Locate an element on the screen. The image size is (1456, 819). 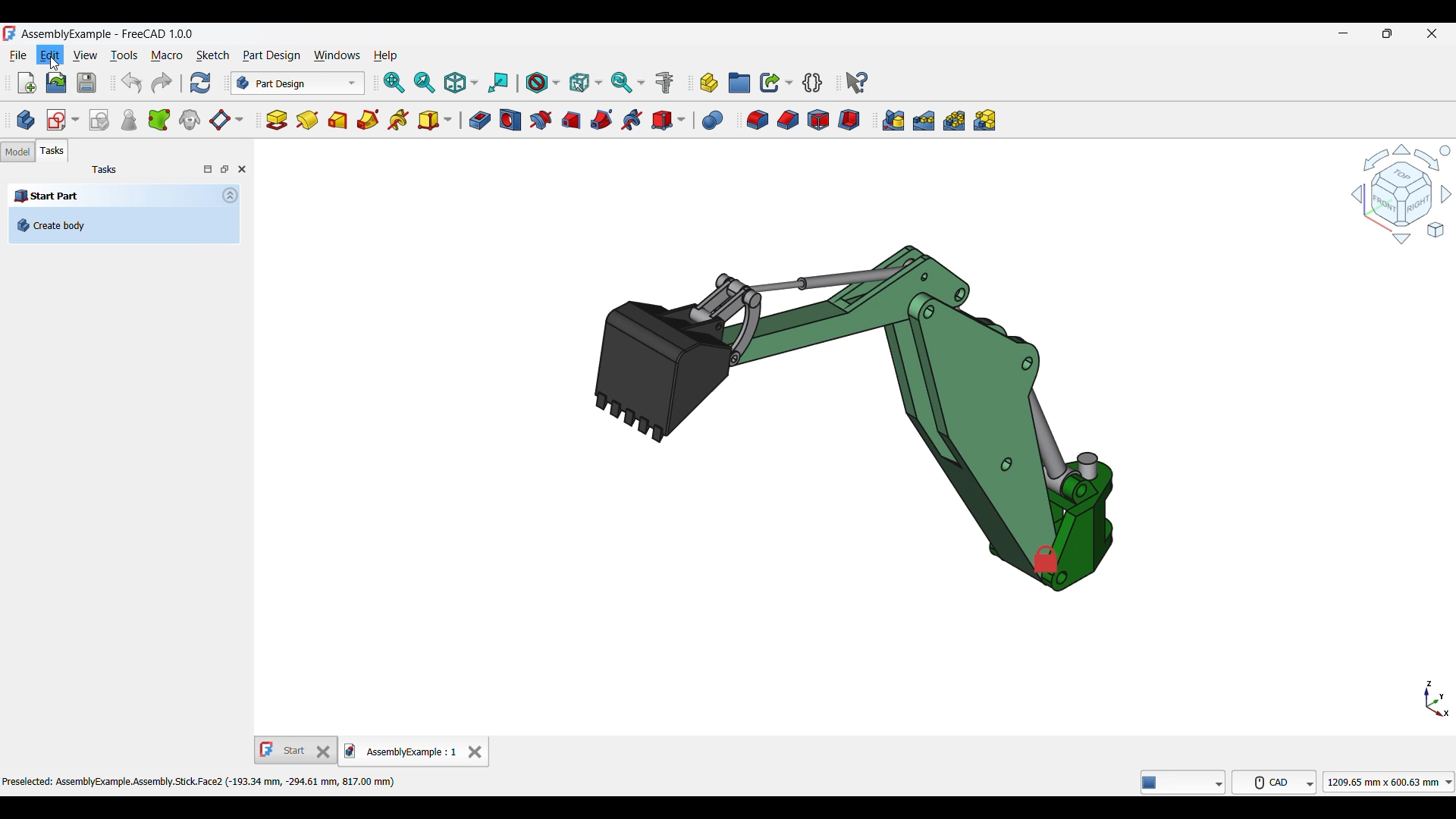
Create part is located at coordinates (709, 83).